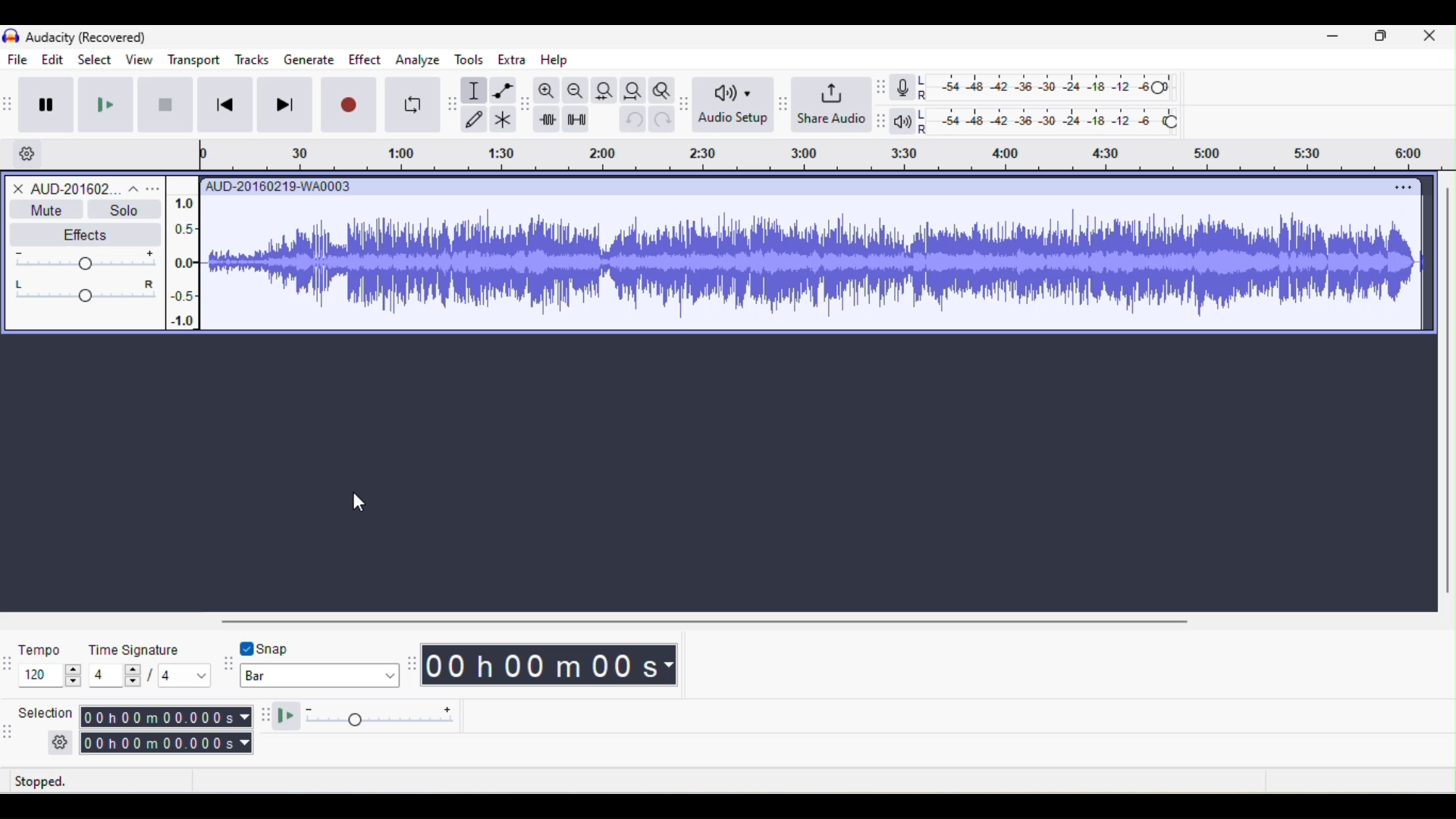 This screenshot has width=1456, height=819. What do you see at coordinates (253, 58) in the screenshot?
I see `Tracks` at bounding box center [253, 58].